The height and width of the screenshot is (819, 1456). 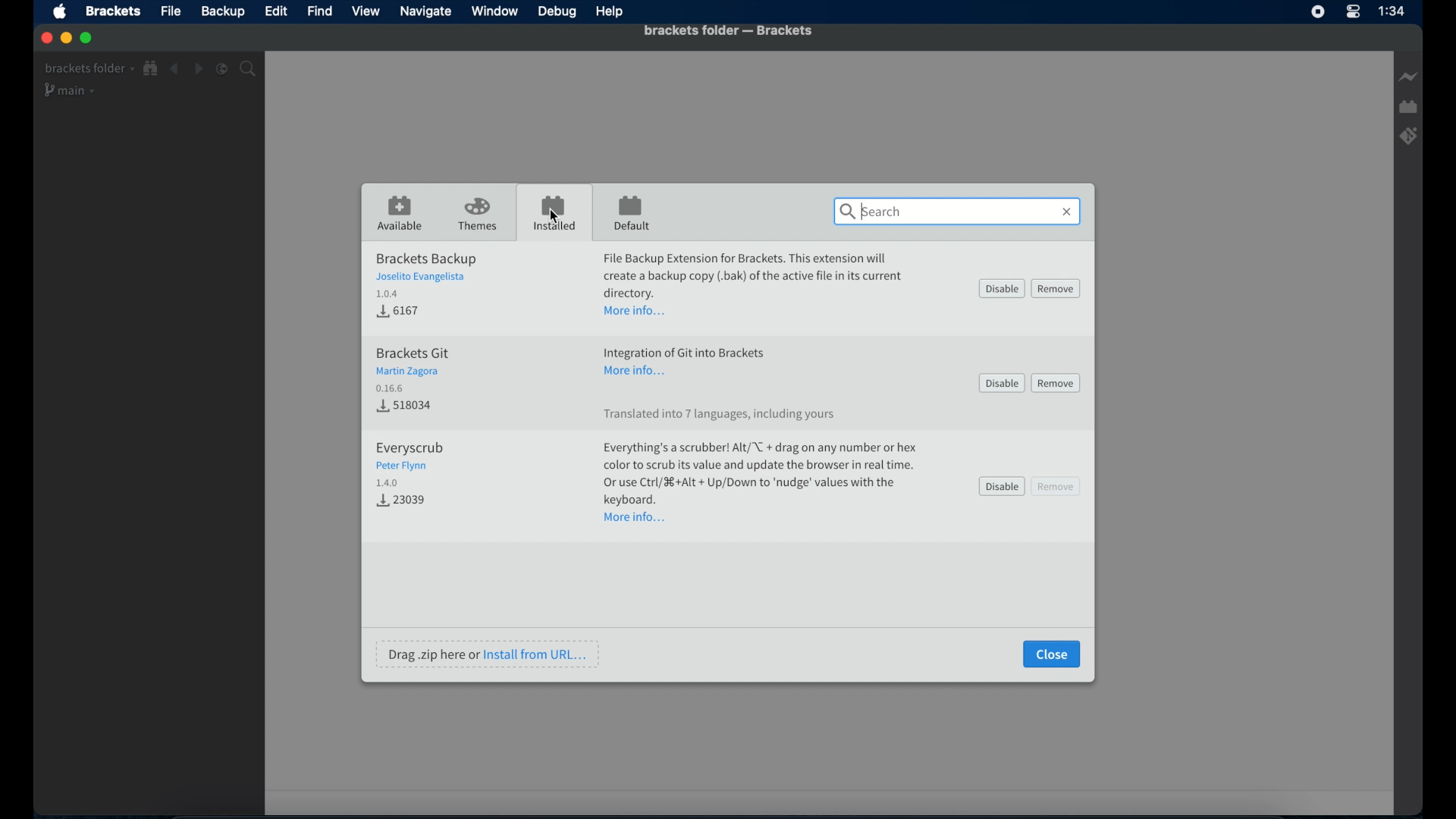 What do you see at coordinates (1001, 487) in the screenshot?
I see `disable` at bounding box center [1001, 487].